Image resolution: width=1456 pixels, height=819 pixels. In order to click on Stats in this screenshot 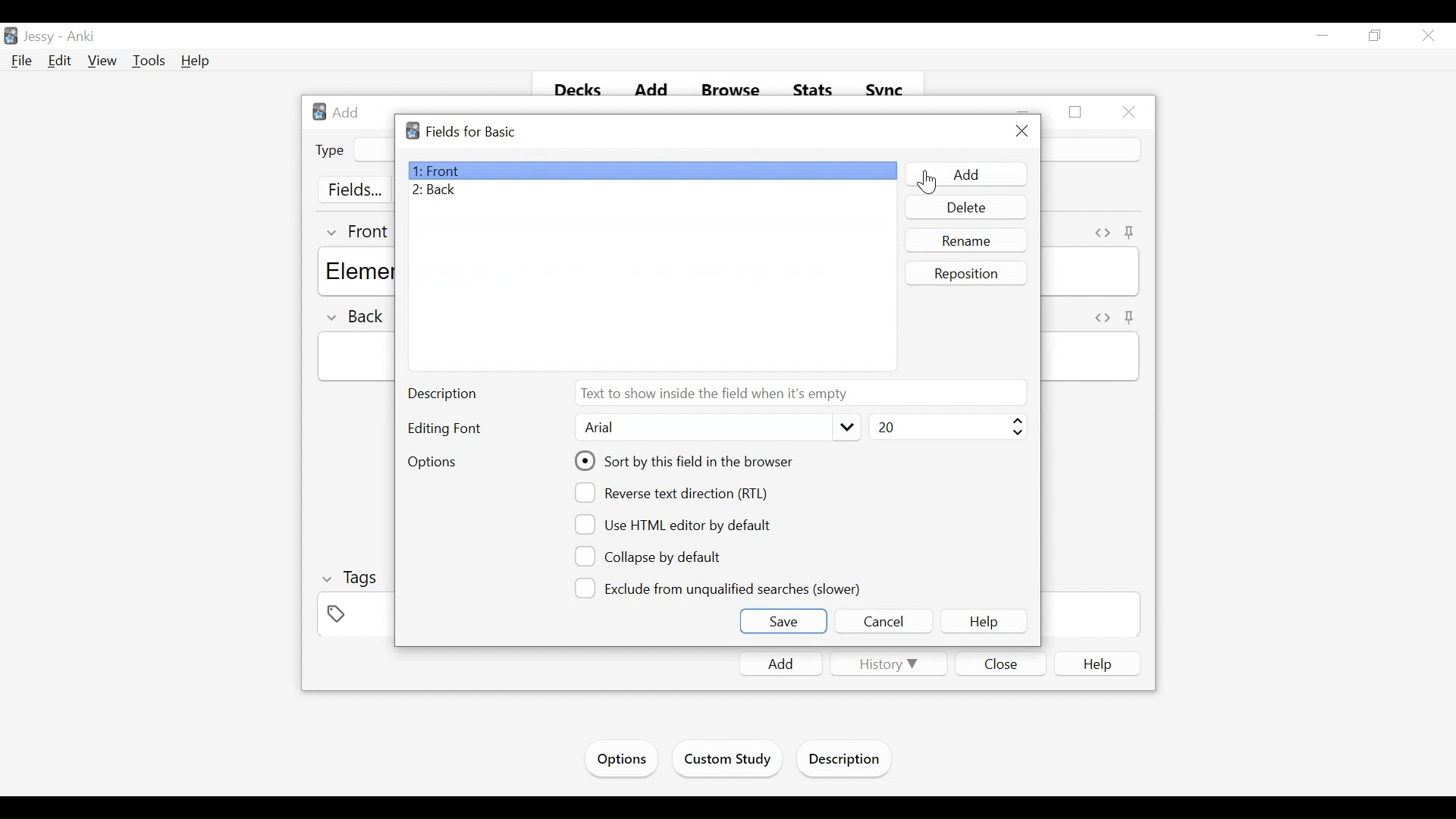, I will do `click(814, 90)`.